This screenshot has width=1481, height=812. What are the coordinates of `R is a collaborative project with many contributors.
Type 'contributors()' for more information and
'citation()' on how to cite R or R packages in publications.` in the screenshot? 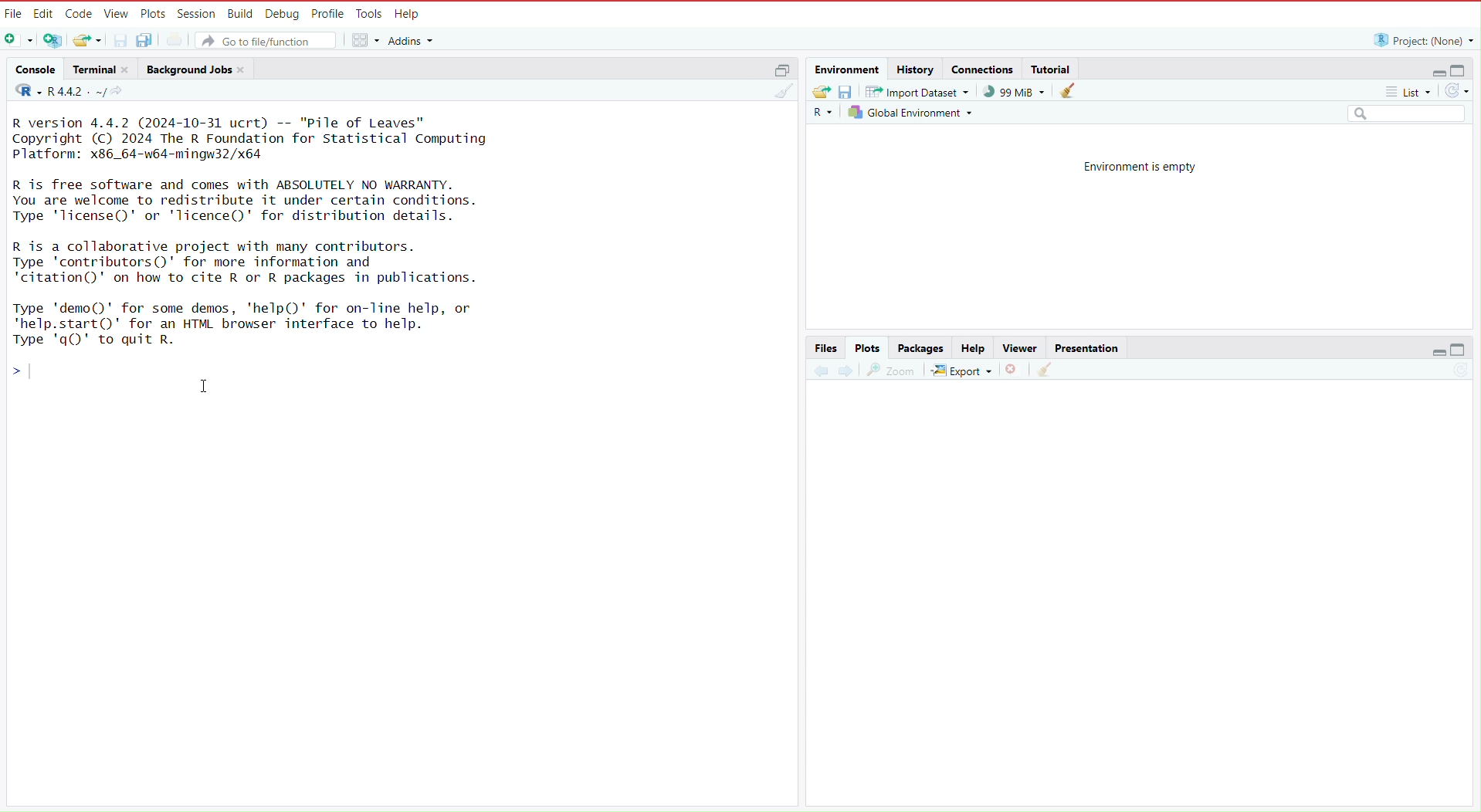 It's located at (256, 262).